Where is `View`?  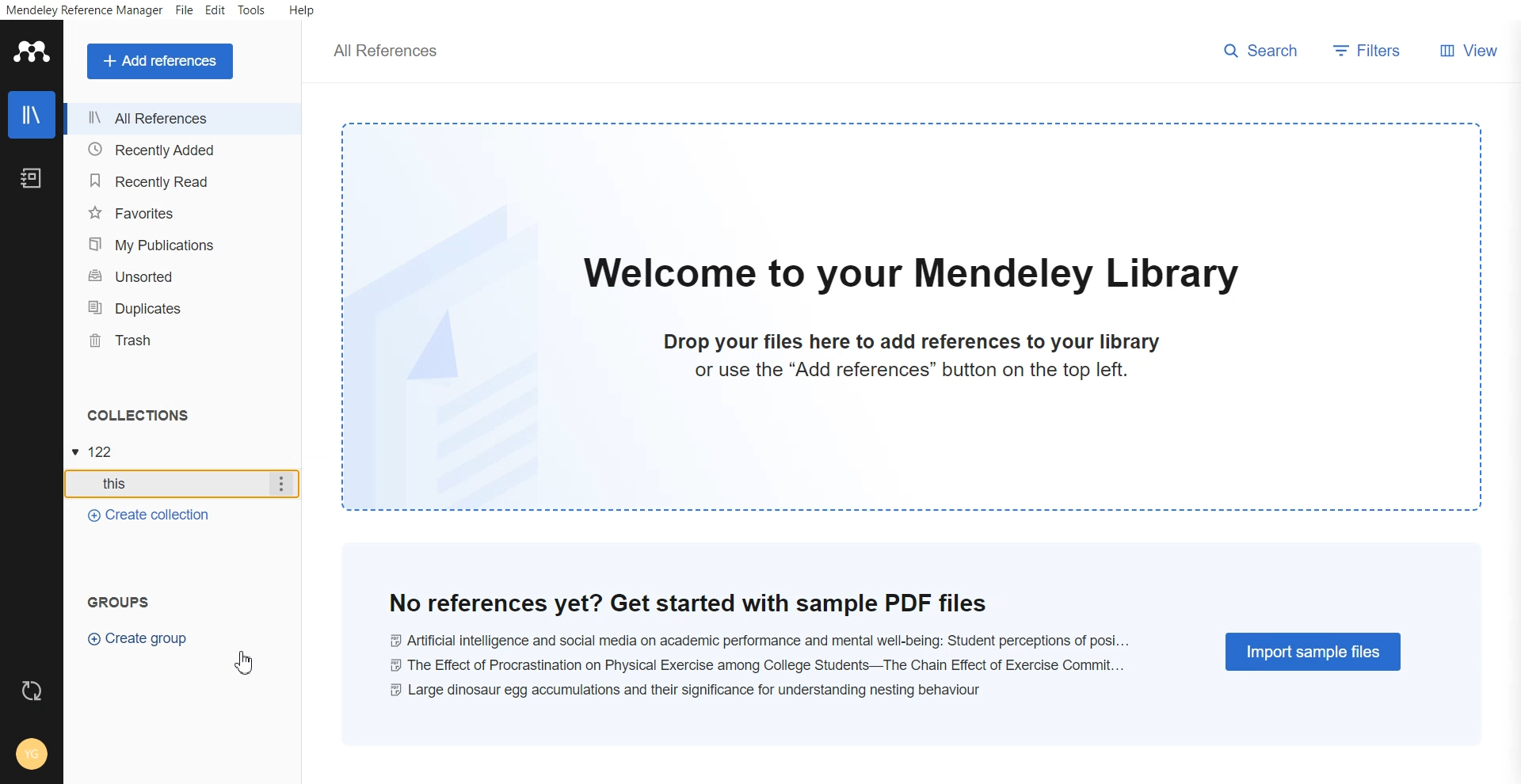
View is located at coordinates (1465, 49).